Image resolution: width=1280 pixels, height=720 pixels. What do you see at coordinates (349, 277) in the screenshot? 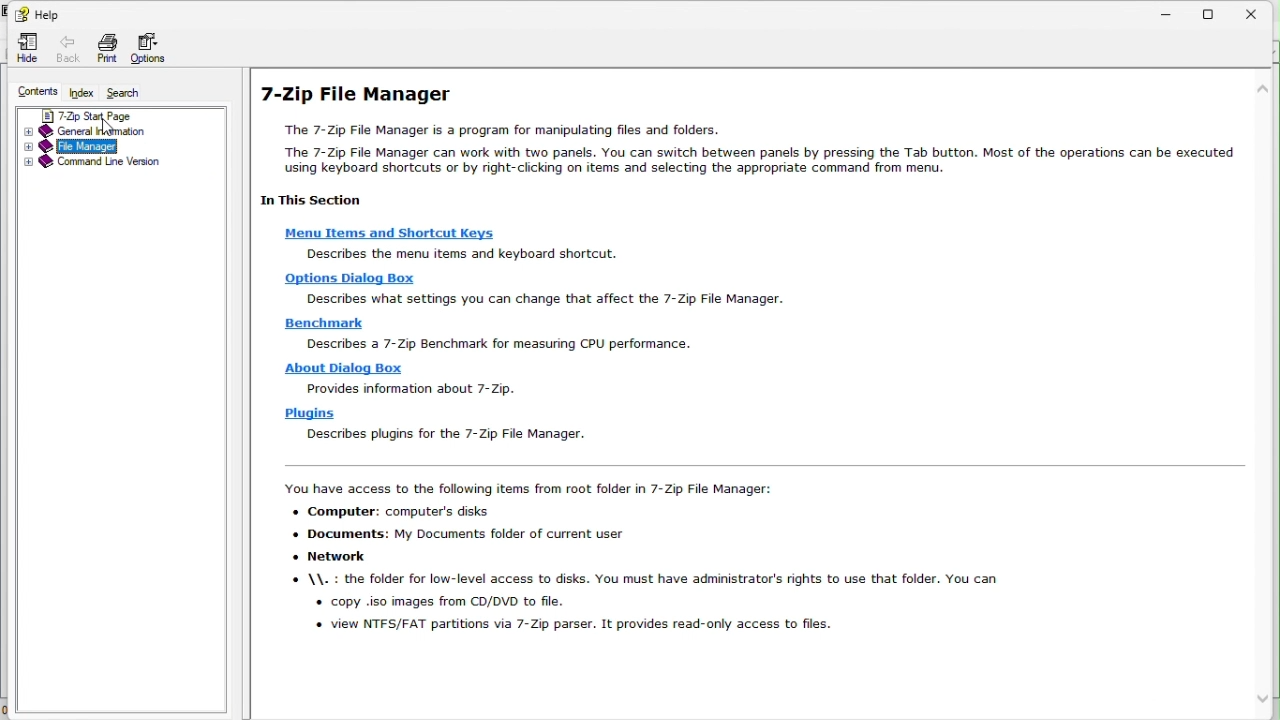
I see `options Dialogue box` at bounding box center [349, 277].